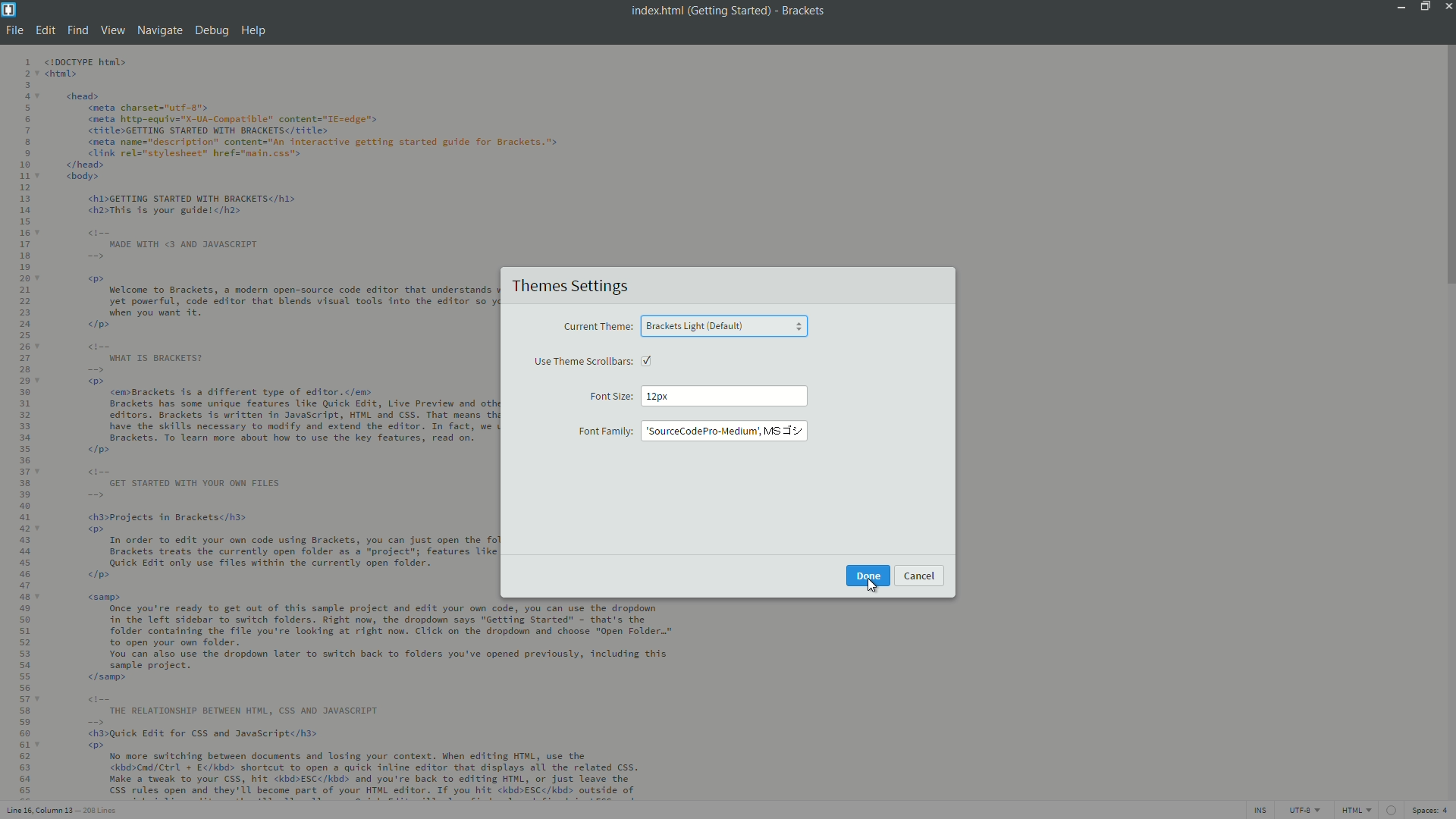 The height and width of the screenshot is (819, 1456). I want to click on ins, so click(1258, 811).